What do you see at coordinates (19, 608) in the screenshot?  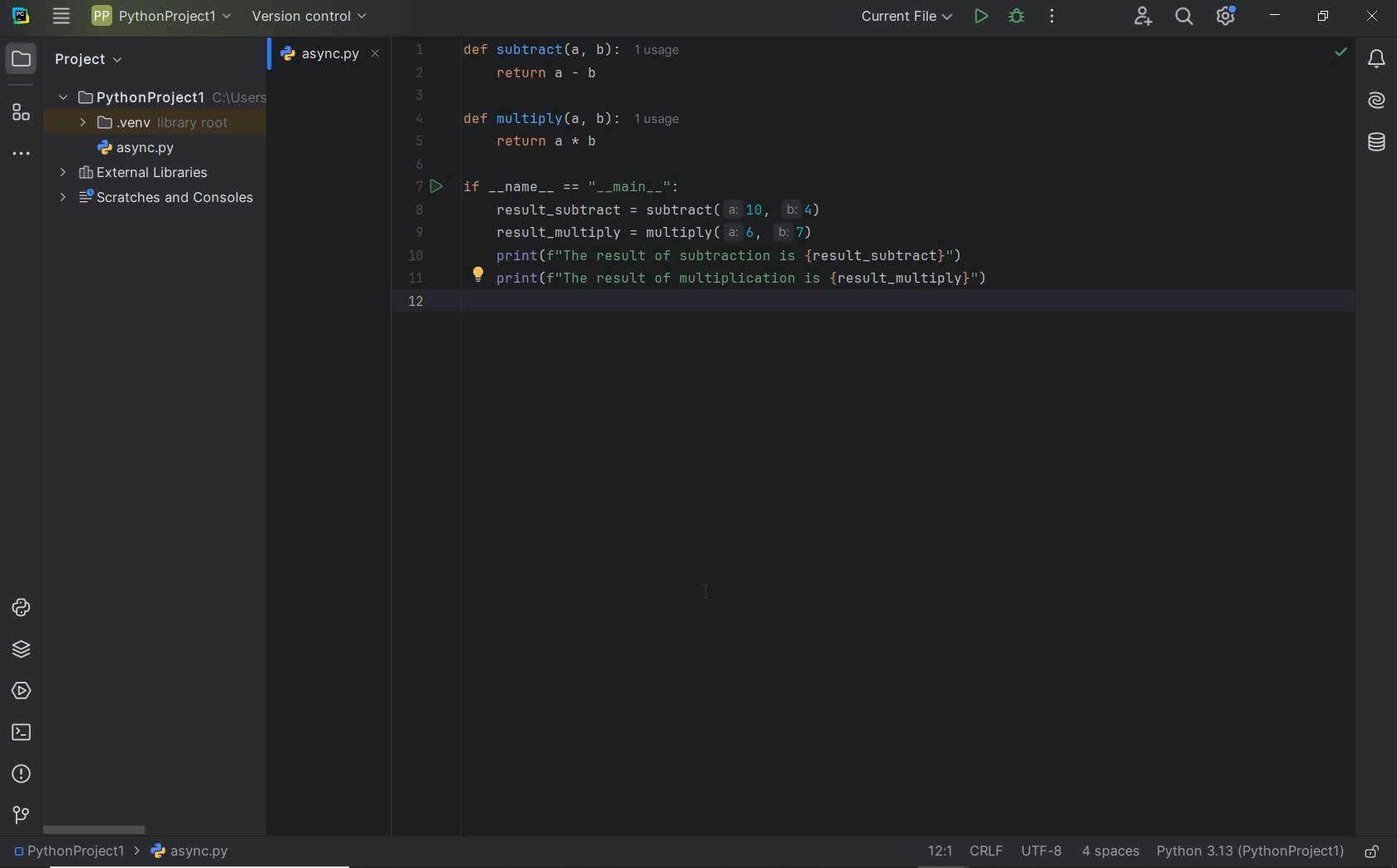 I see `python consoles` at bounding box center [19, 608].